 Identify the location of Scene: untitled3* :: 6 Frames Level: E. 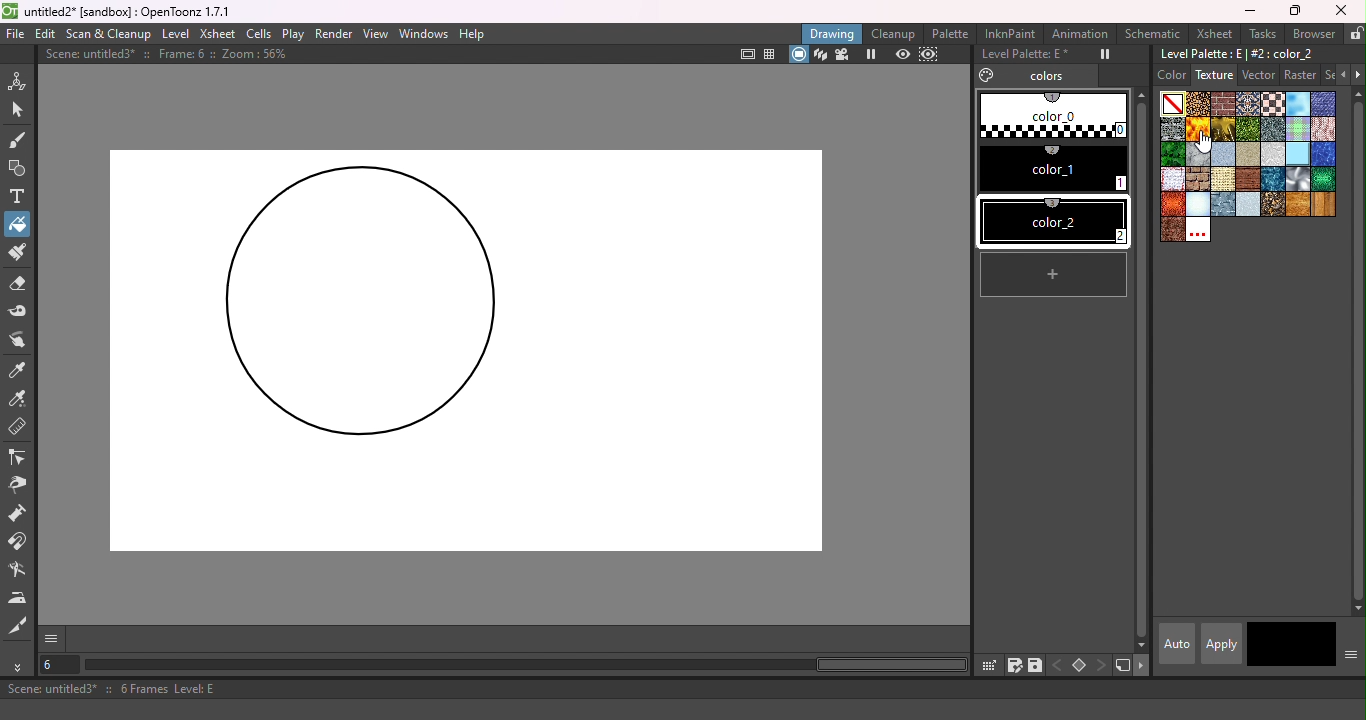
(683, 691).